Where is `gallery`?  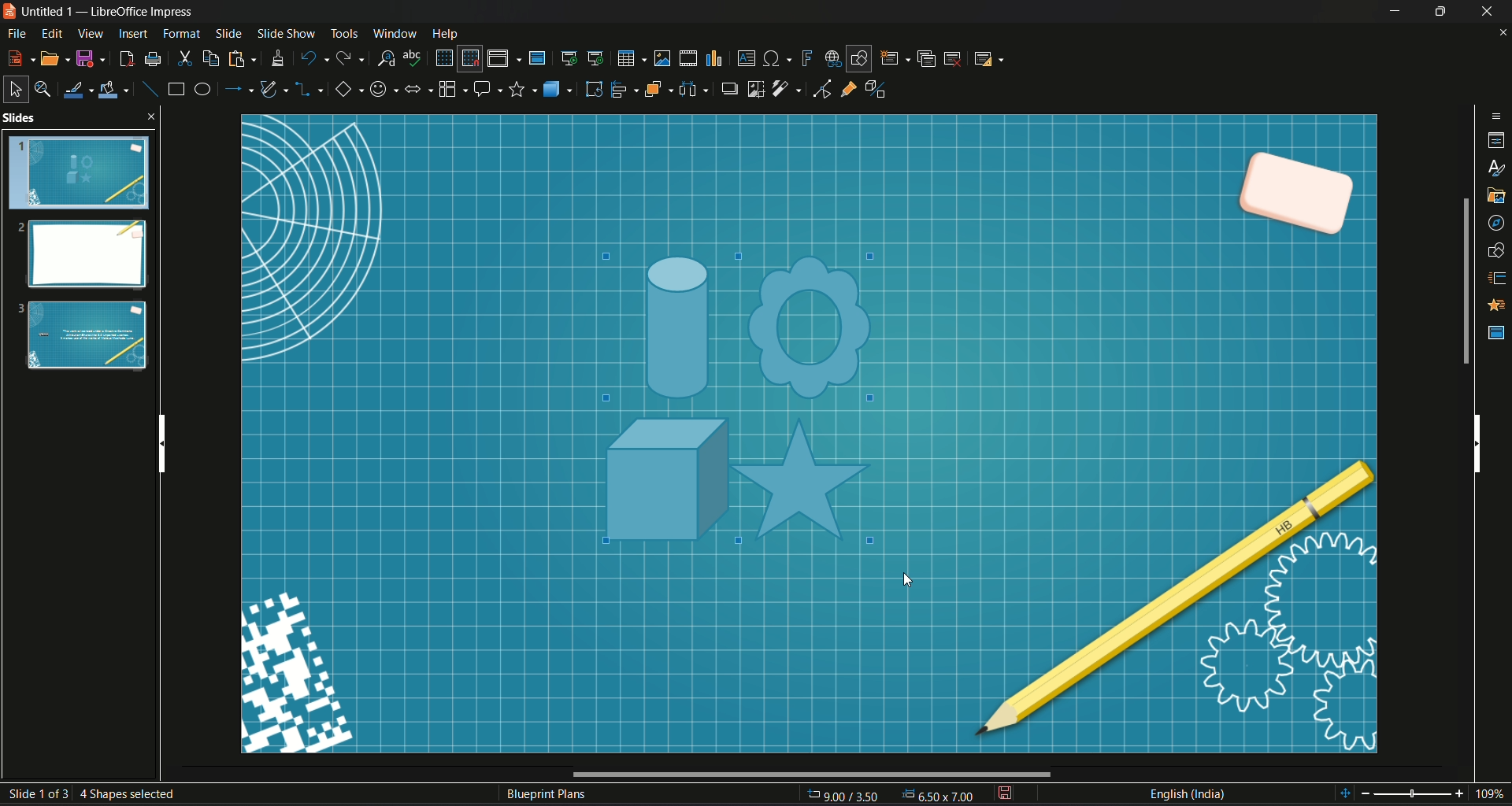 gallery is located at coordinates (1497, 196).